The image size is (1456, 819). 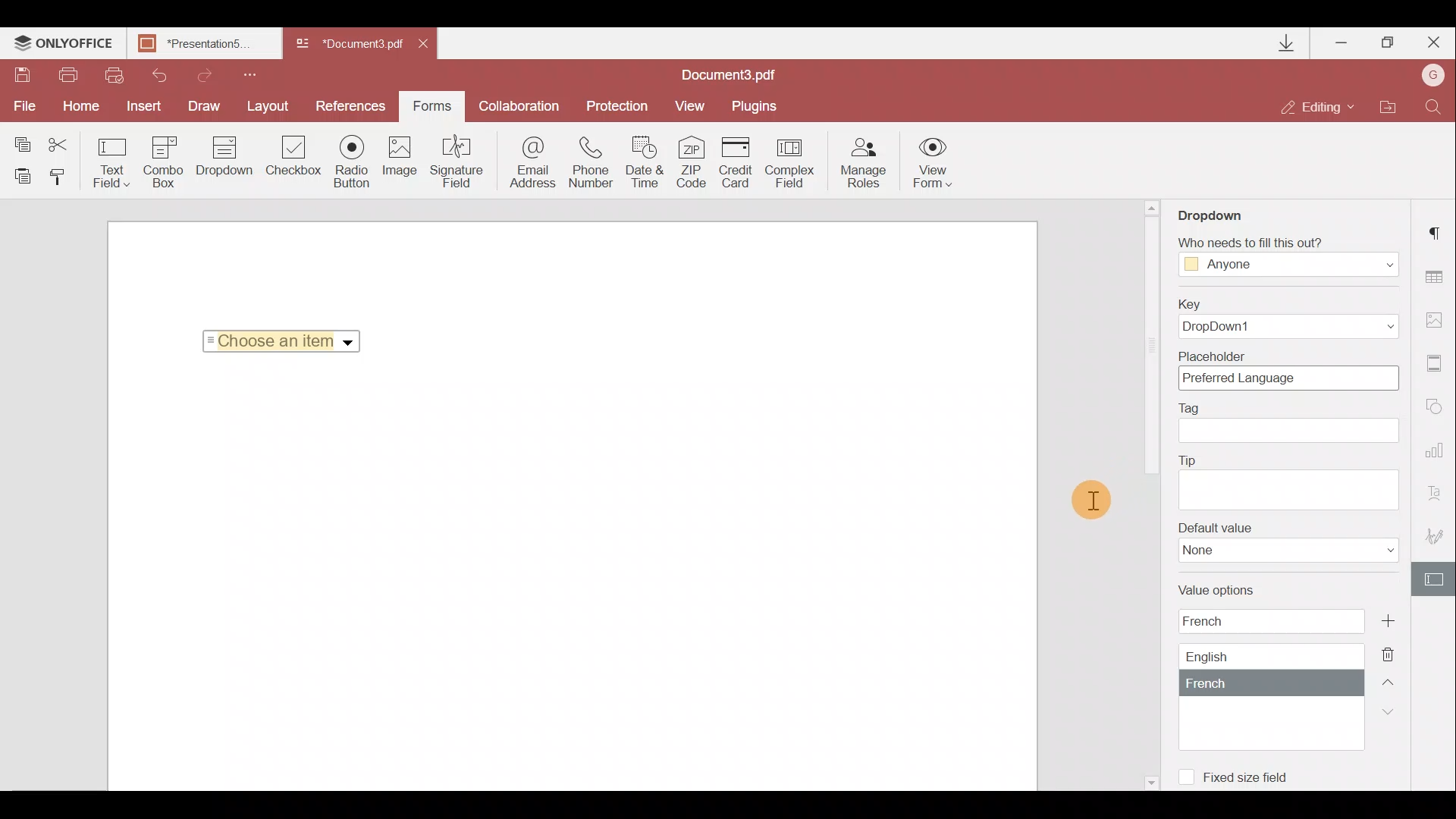 I want to click on Account name, so click(x=1429, y=77).